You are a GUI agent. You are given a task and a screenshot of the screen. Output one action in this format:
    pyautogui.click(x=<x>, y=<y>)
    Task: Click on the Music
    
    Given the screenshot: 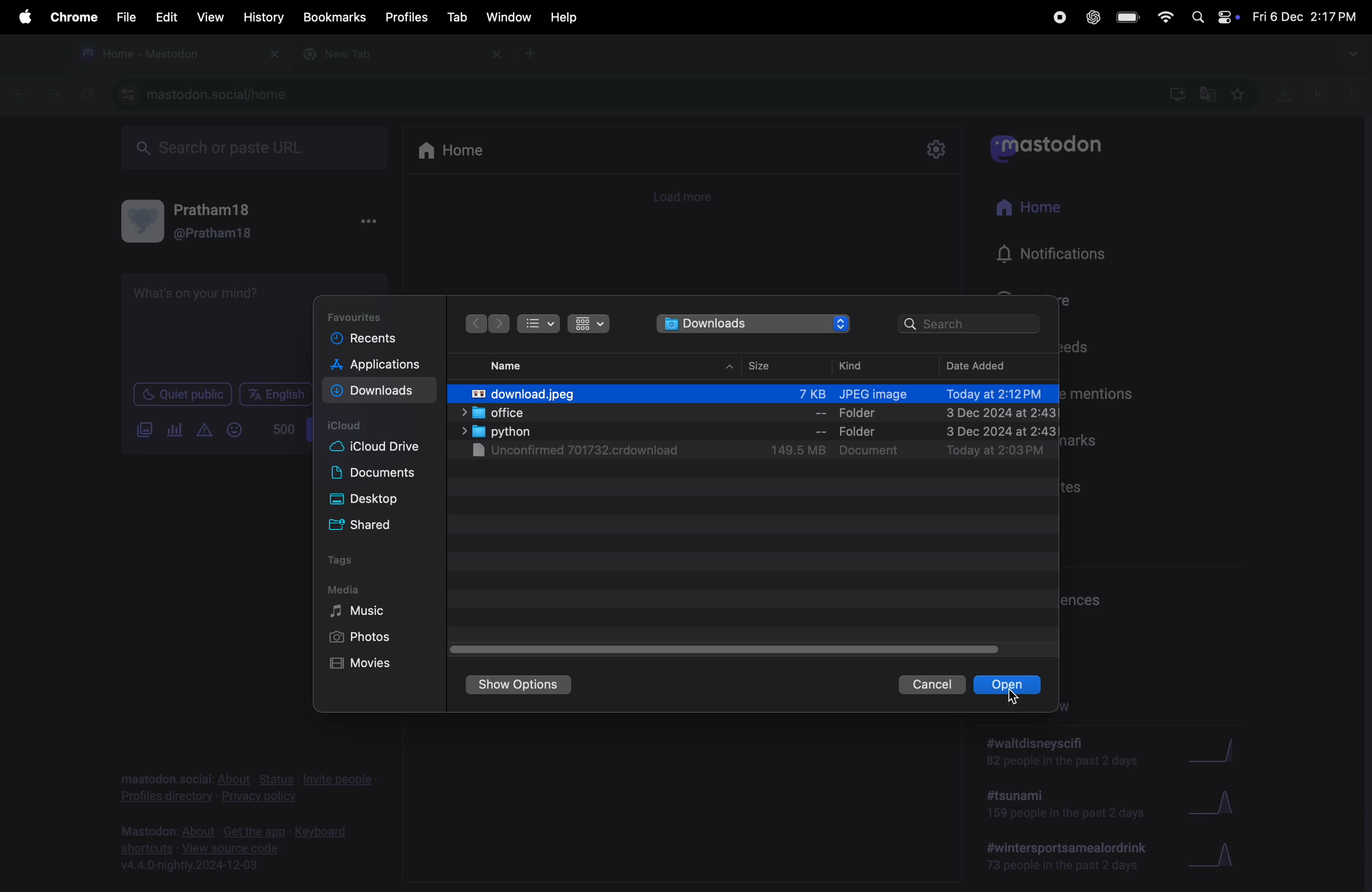 What is the action you would take?
    pyautogui.click(x=362, y=613)
    